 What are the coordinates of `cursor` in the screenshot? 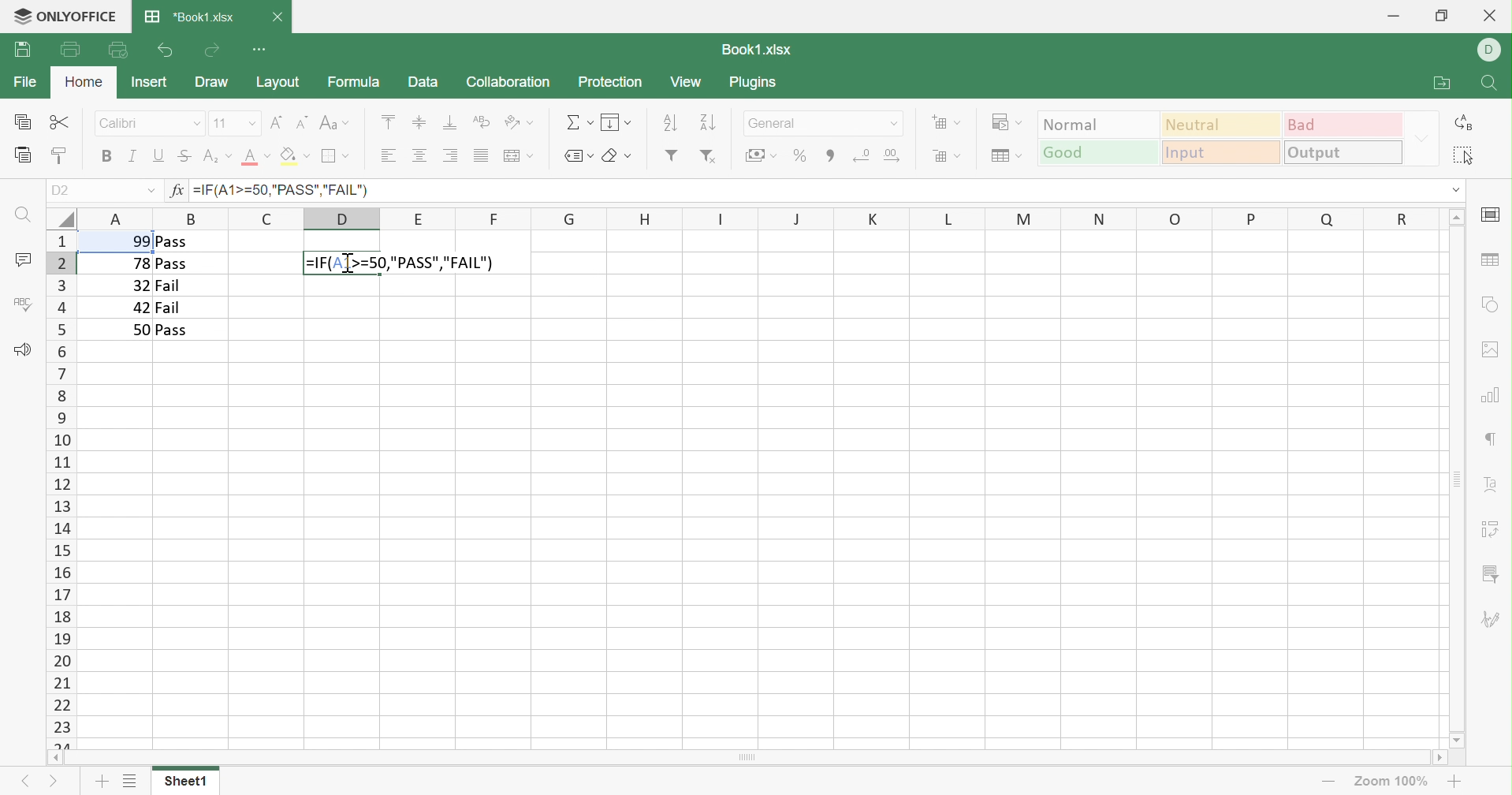 It's located at (348, 263).